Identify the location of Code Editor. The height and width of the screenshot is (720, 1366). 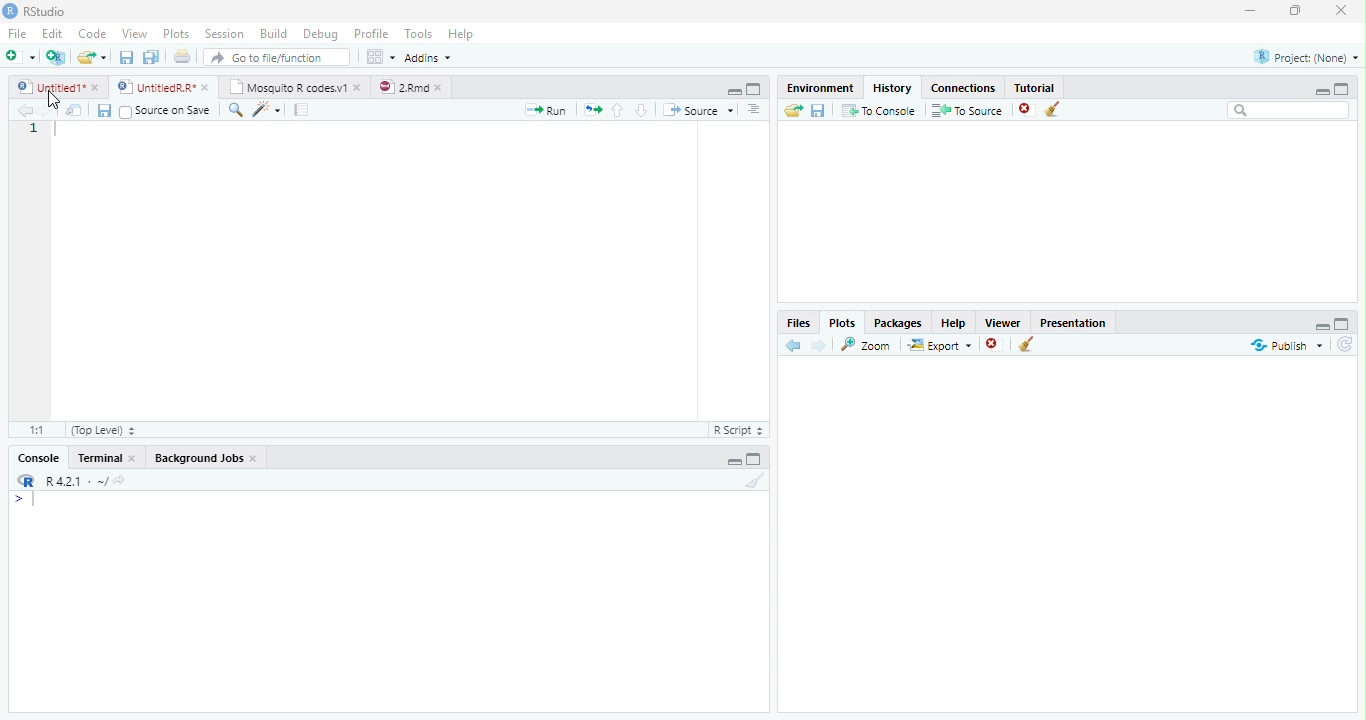
(374, 271).